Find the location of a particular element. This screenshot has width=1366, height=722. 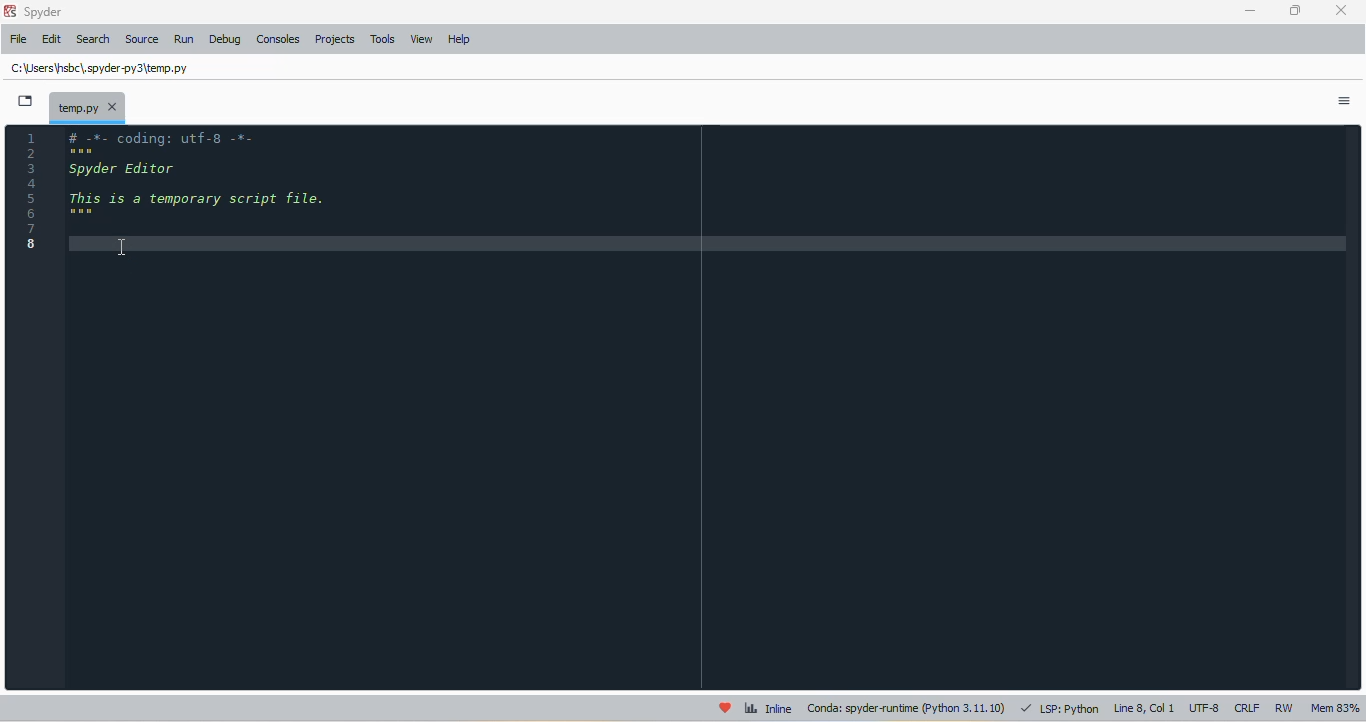

temporary file is located at coordinates (88, 106).